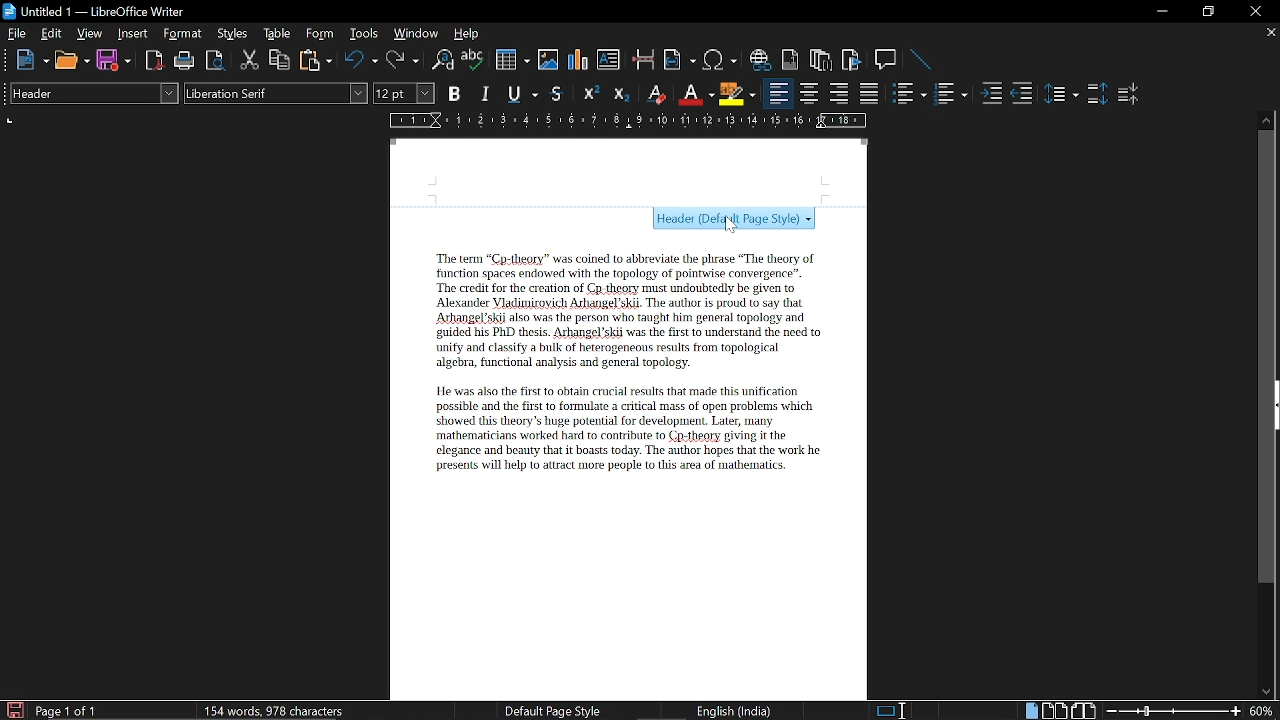 Image resolution: width=1280 pixels, height=720 pixels. What do you see at coordinates (790, 60) in the screenshot?
I see `Insert endnote` at bounding box center [790, 60].